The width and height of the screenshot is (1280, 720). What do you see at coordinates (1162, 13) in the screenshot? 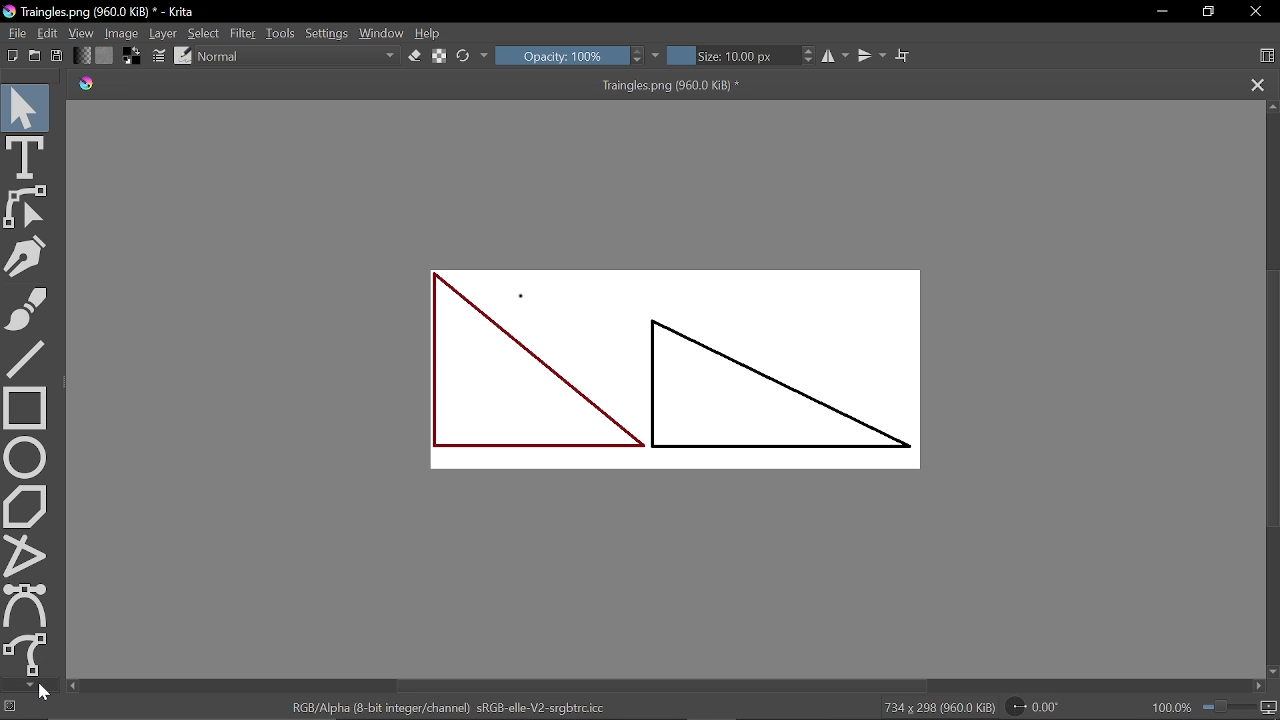
I see `Minimize` at bounding box center [1162, 13].